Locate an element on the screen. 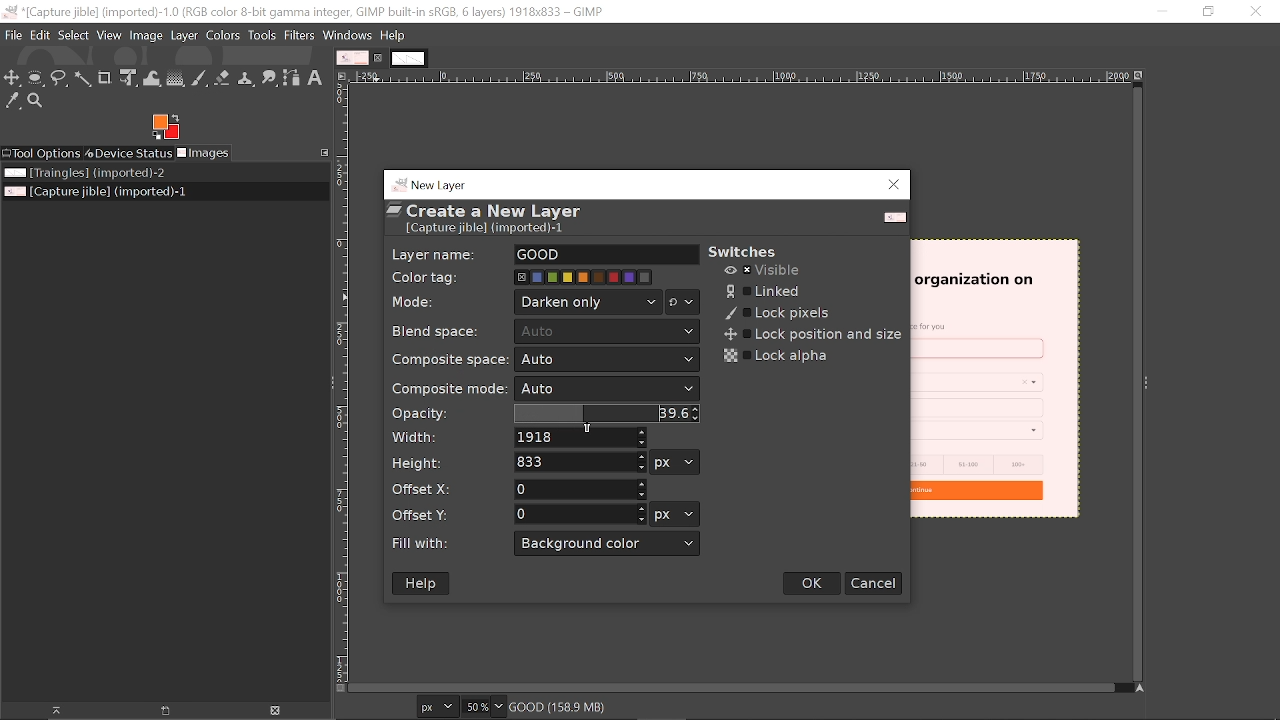  Help is located at coordinates (423, 584).